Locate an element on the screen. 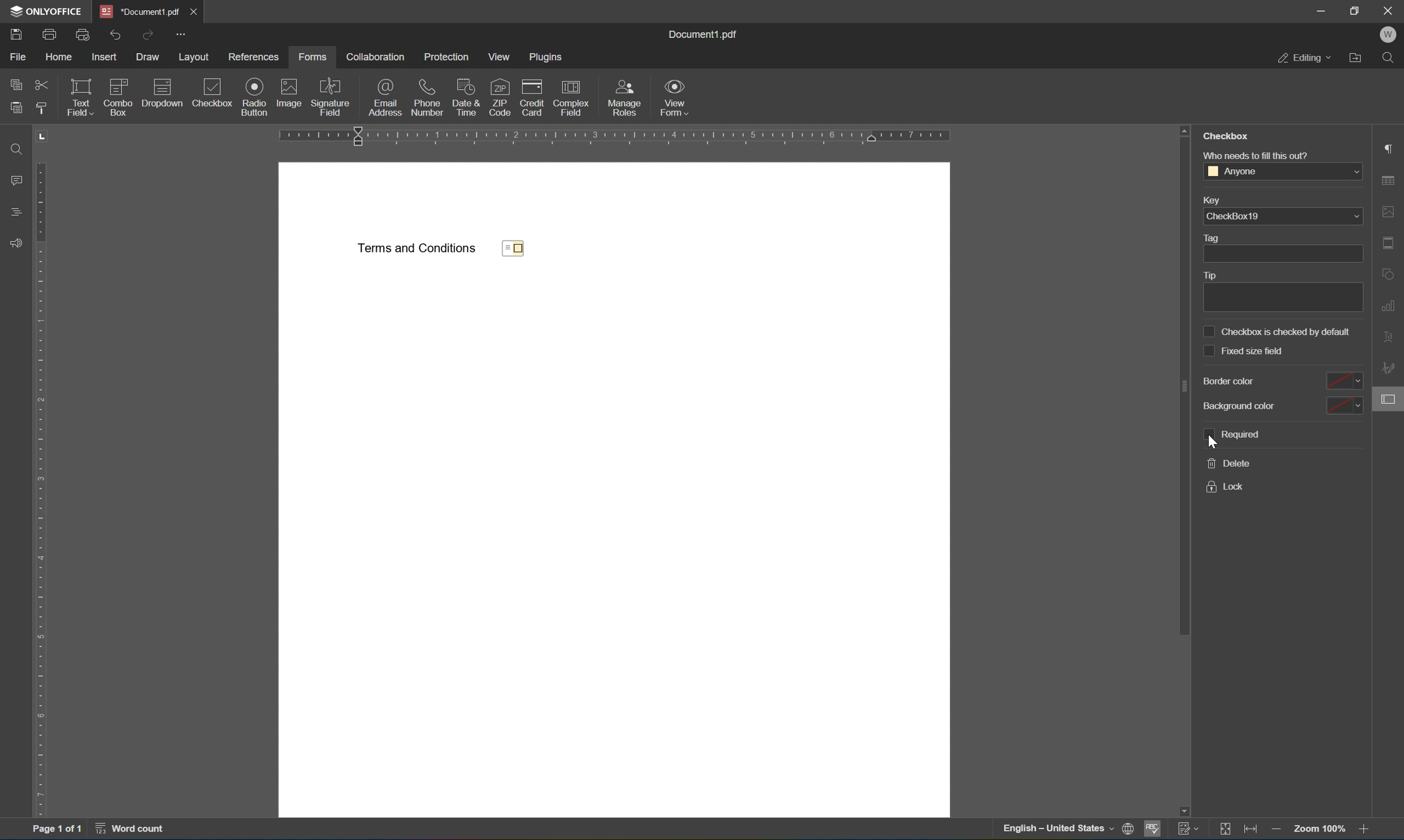 Image resolution: width=1404 pixels, height=840 pixels. shape settings is located at coordinates (1391, 275).